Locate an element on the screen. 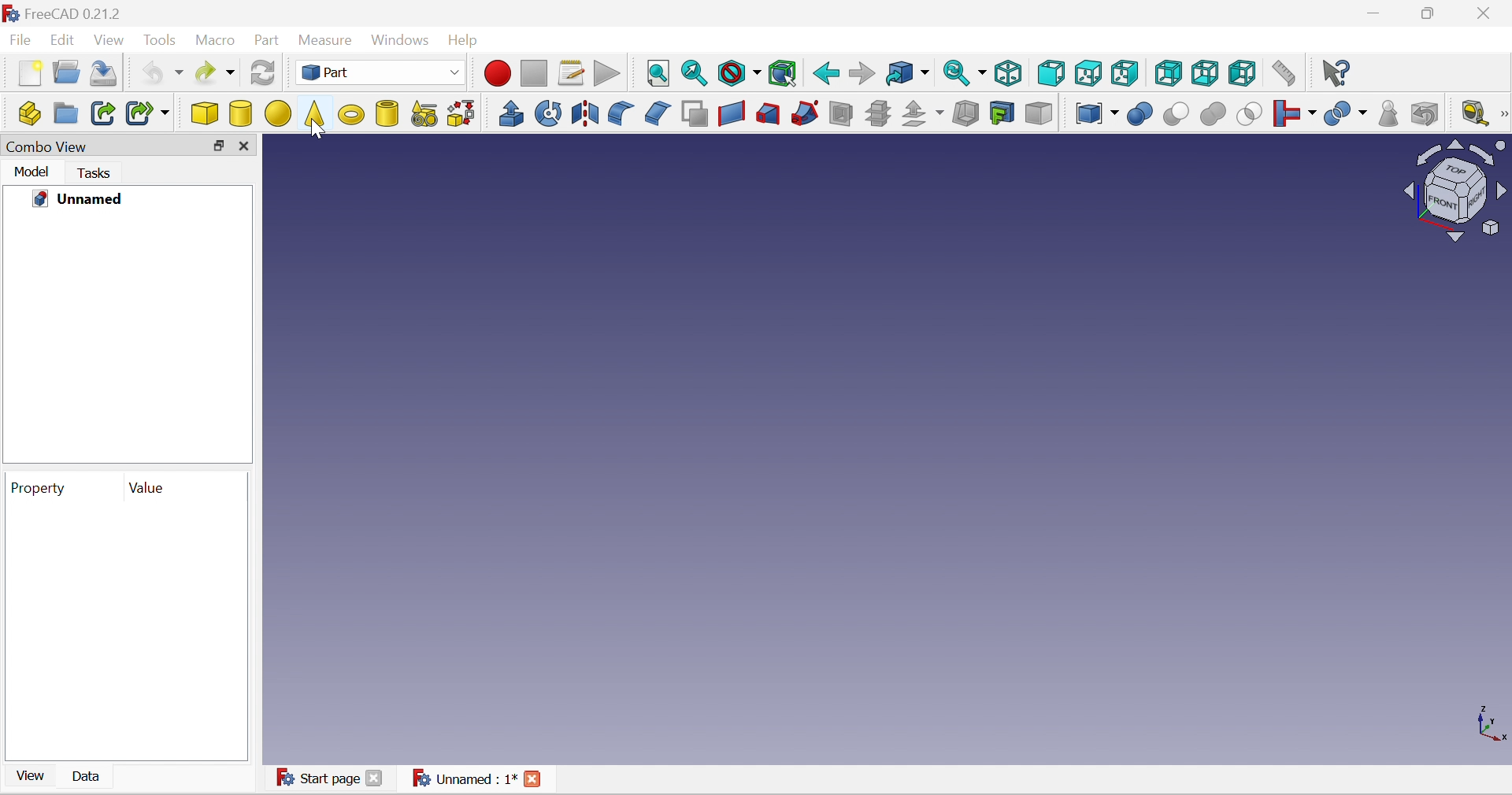 This screenshot has width=1512, height=795. Undo is located at coordinates (159, 75).